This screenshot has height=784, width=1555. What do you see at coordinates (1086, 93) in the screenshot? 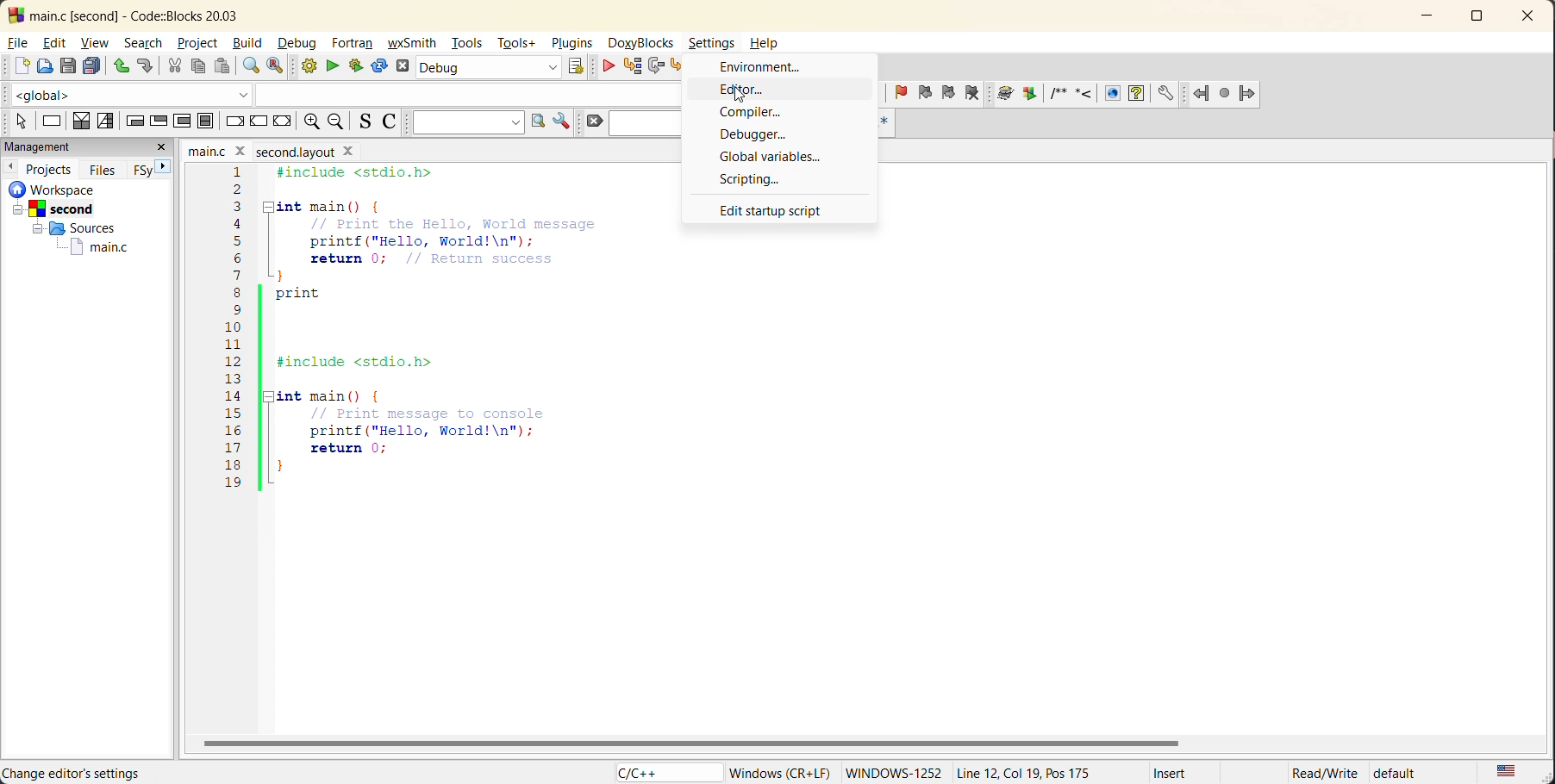
I see `doxyblocks references` at bounding box center [1086, 93].